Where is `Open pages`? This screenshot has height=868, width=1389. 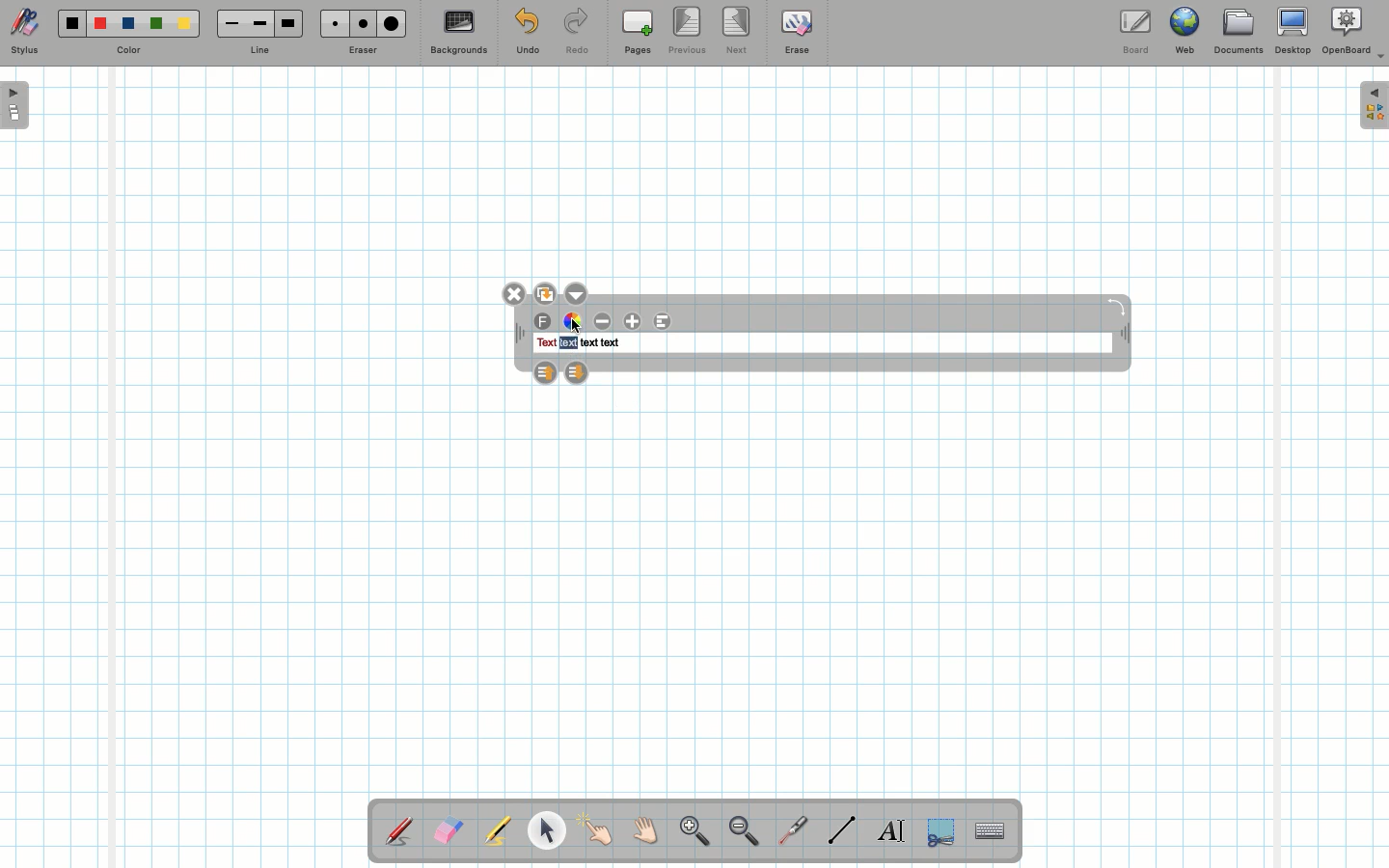 Open pages is located at coordinates (16, 104).